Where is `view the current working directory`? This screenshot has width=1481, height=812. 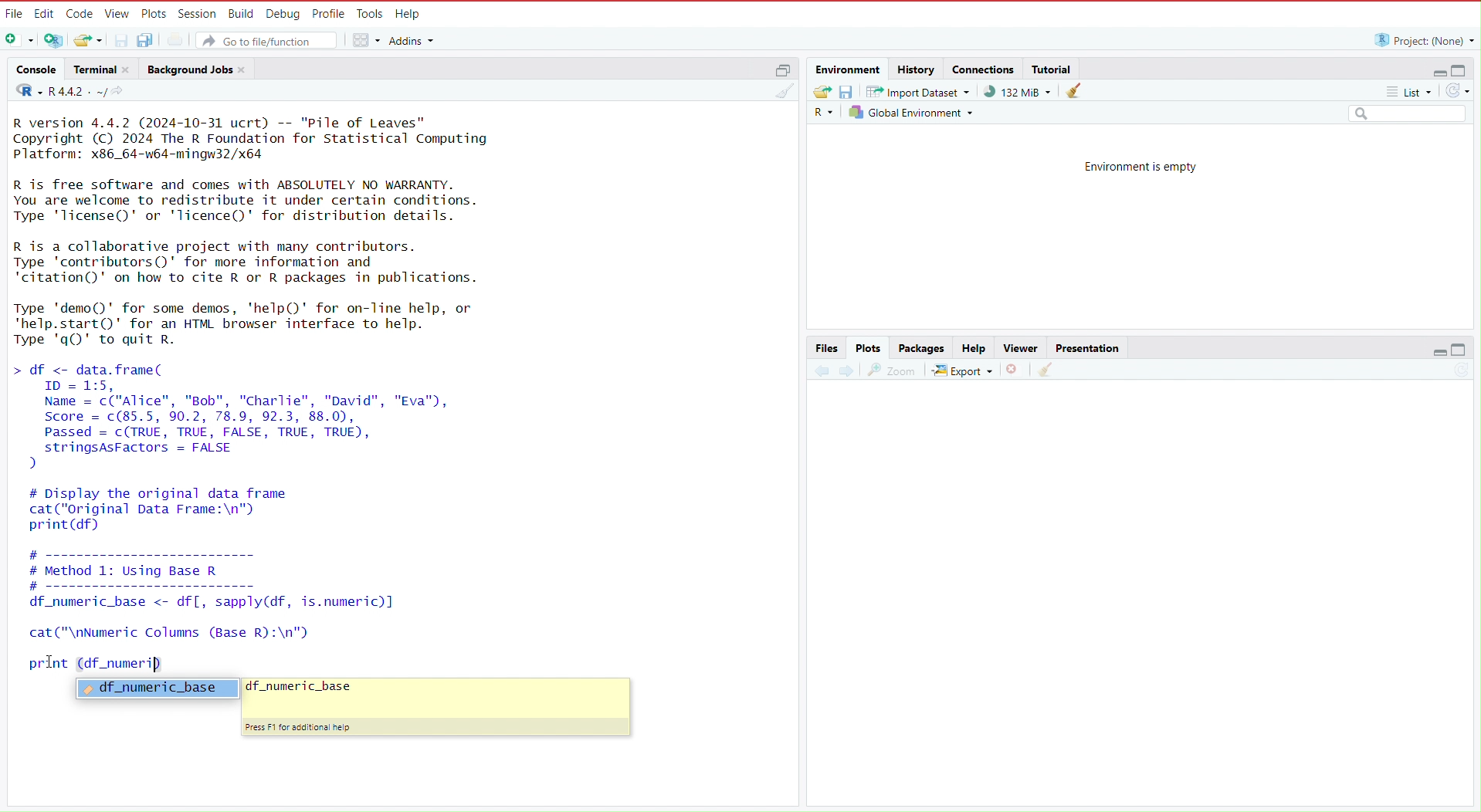
view the current working directory is located at coordinates (121, 91).